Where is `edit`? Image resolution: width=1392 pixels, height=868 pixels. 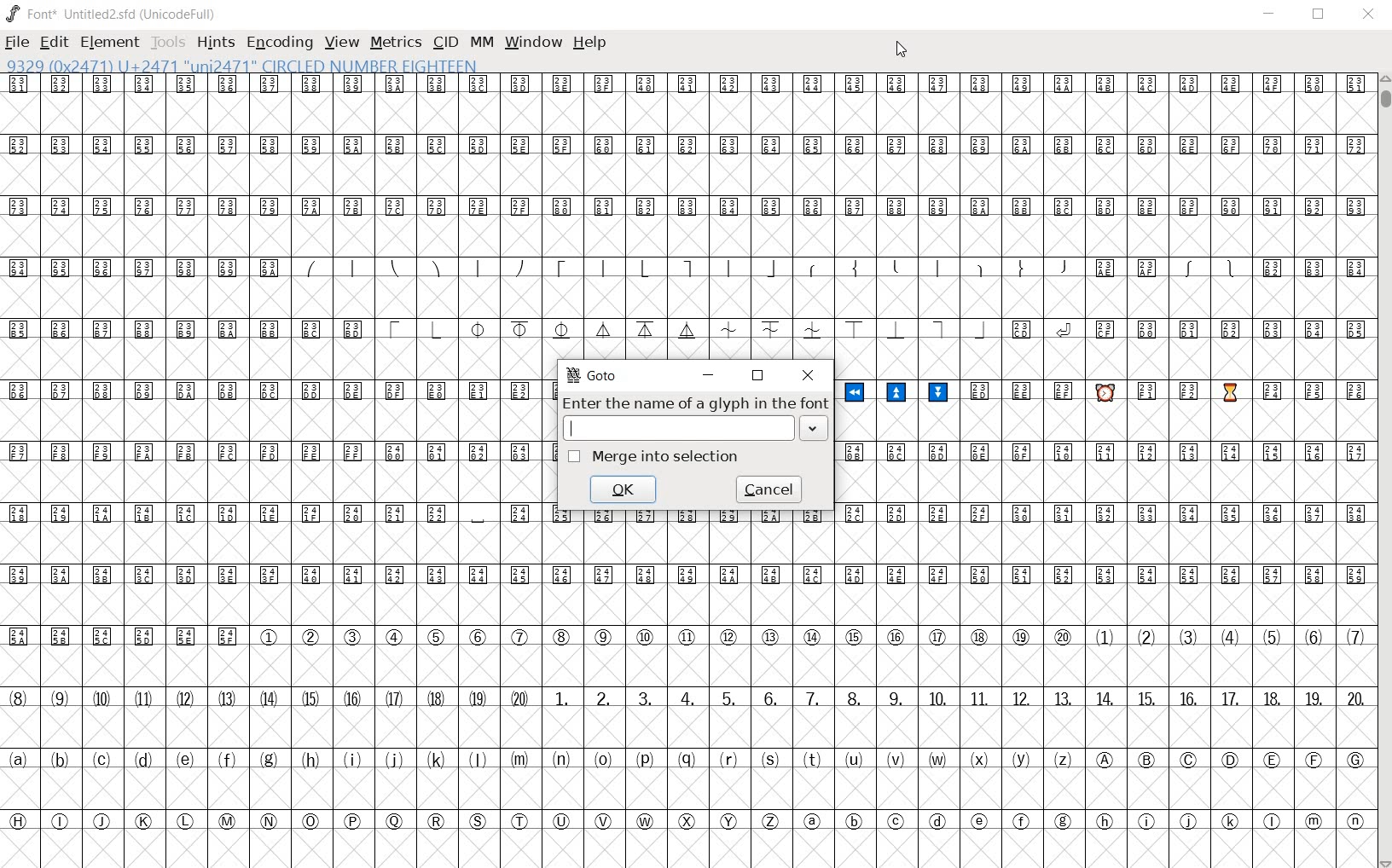 edit is located at coordinates (53, 42).